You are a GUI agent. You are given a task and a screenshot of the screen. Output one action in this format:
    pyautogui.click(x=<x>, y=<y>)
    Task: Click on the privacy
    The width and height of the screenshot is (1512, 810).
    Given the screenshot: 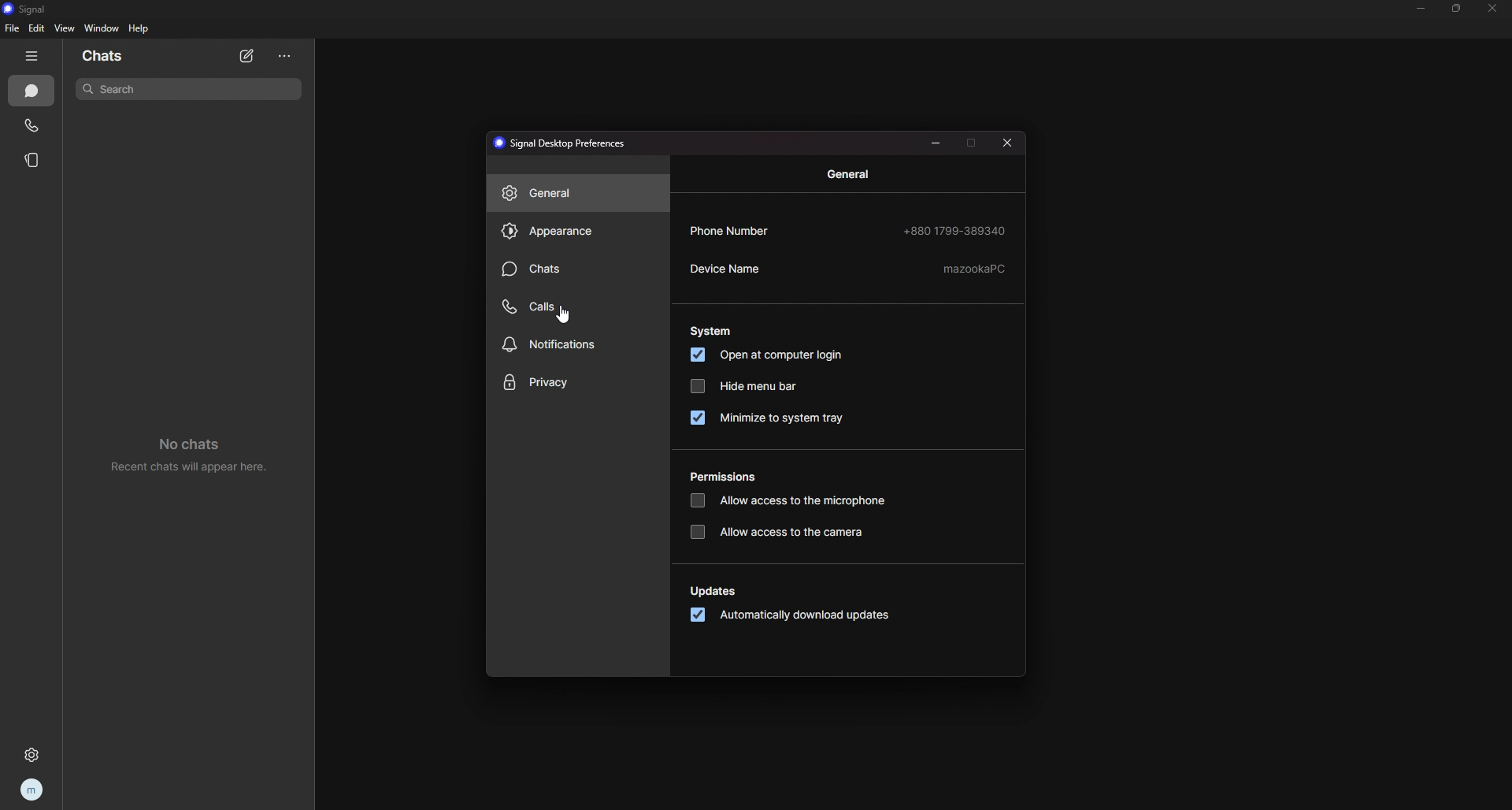 What is the action you would take?
    pyautogui.click(x=579, y=382)
    